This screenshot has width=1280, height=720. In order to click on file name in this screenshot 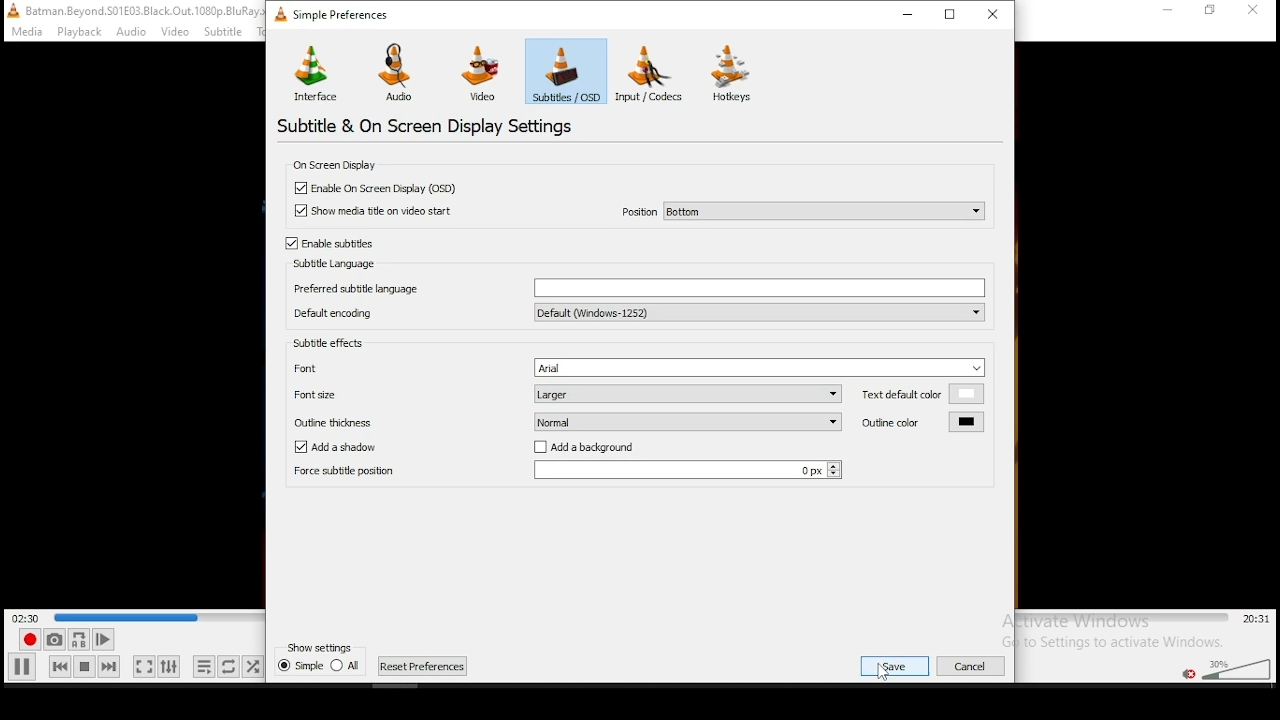, I will do `click(146, 10)`.